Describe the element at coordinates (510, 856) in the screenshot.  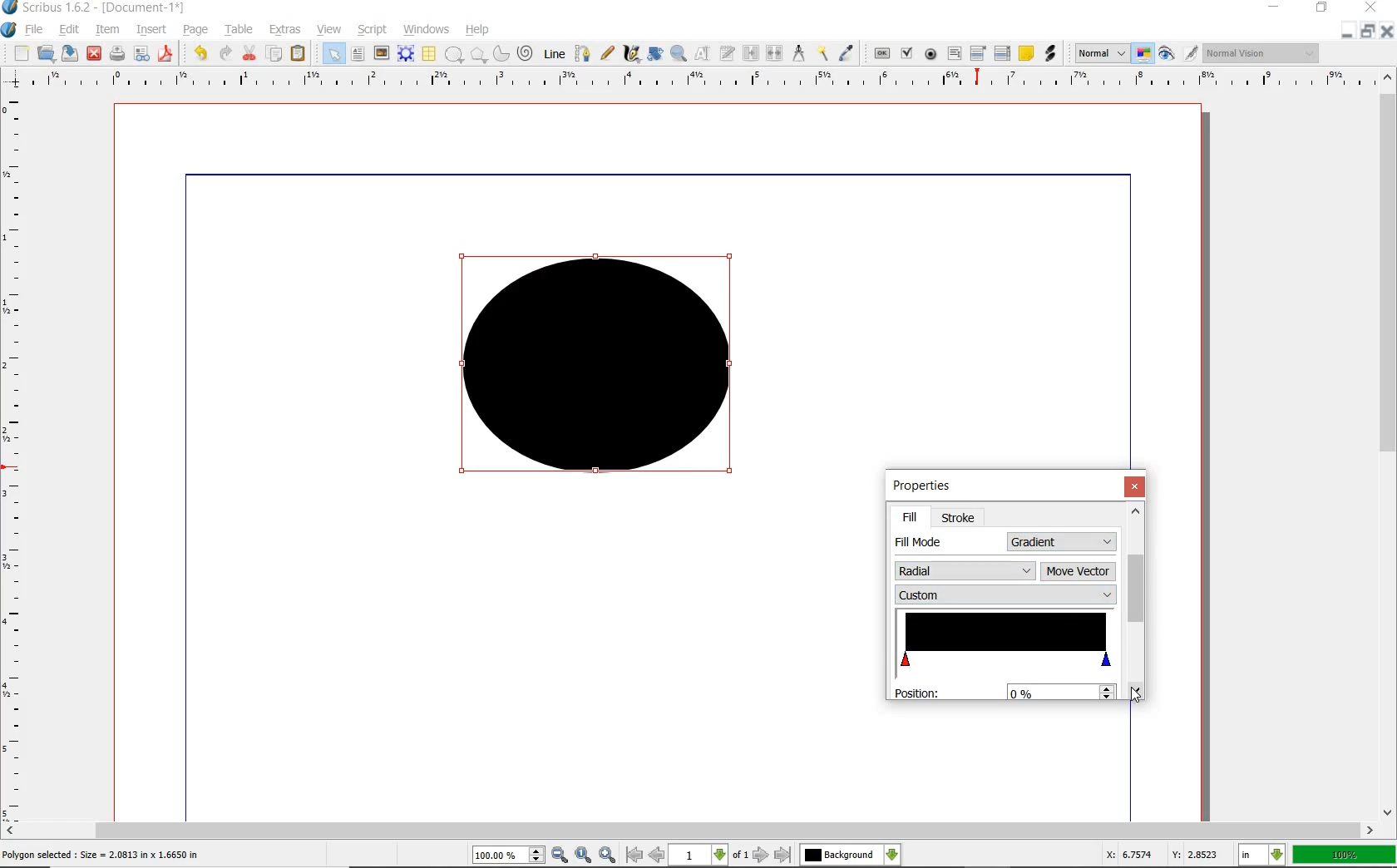
I see `zoom ` at that location.